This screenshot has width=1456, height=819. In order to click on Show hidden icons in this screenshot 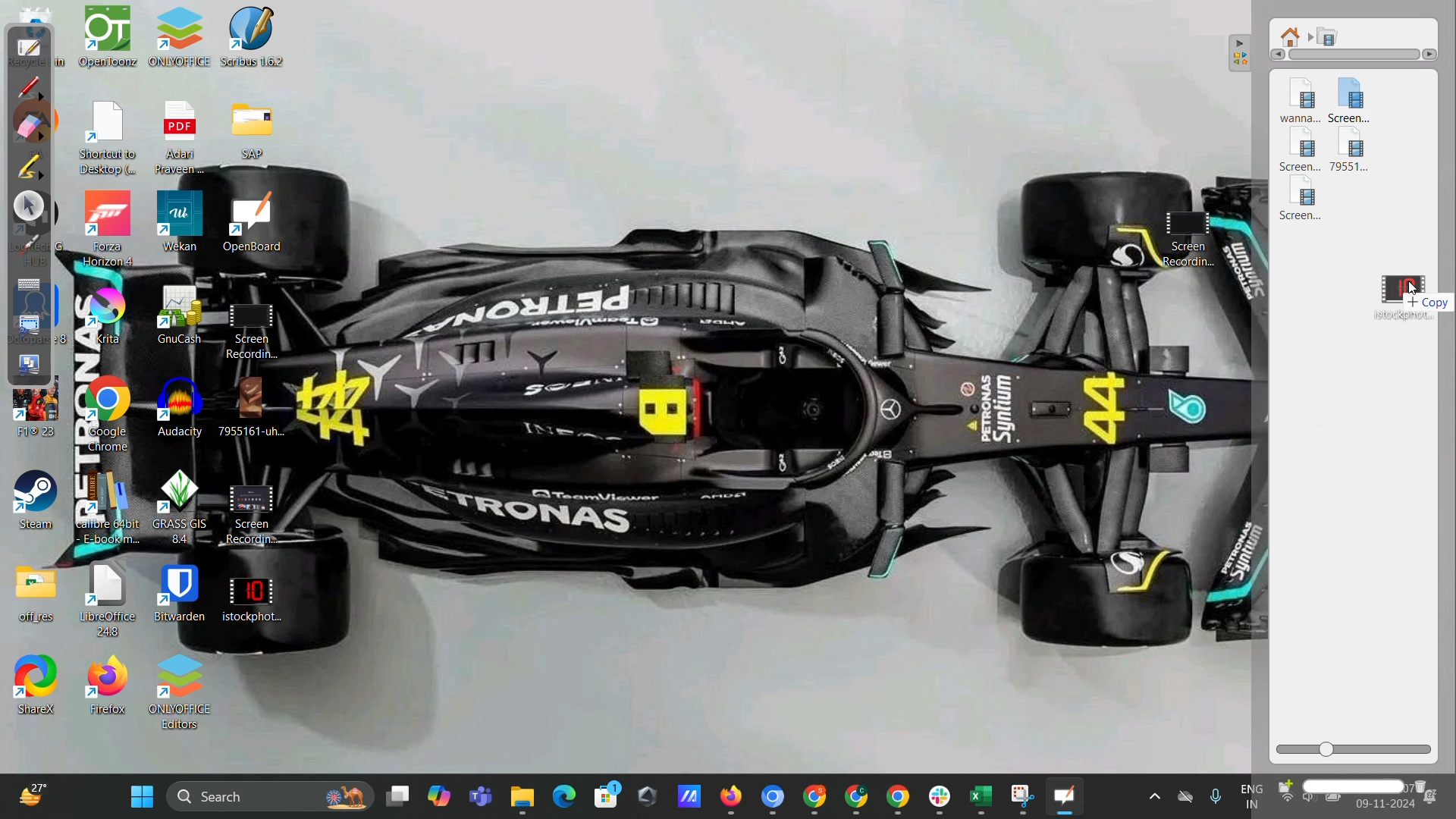, I will do `click(1147, 795)`.